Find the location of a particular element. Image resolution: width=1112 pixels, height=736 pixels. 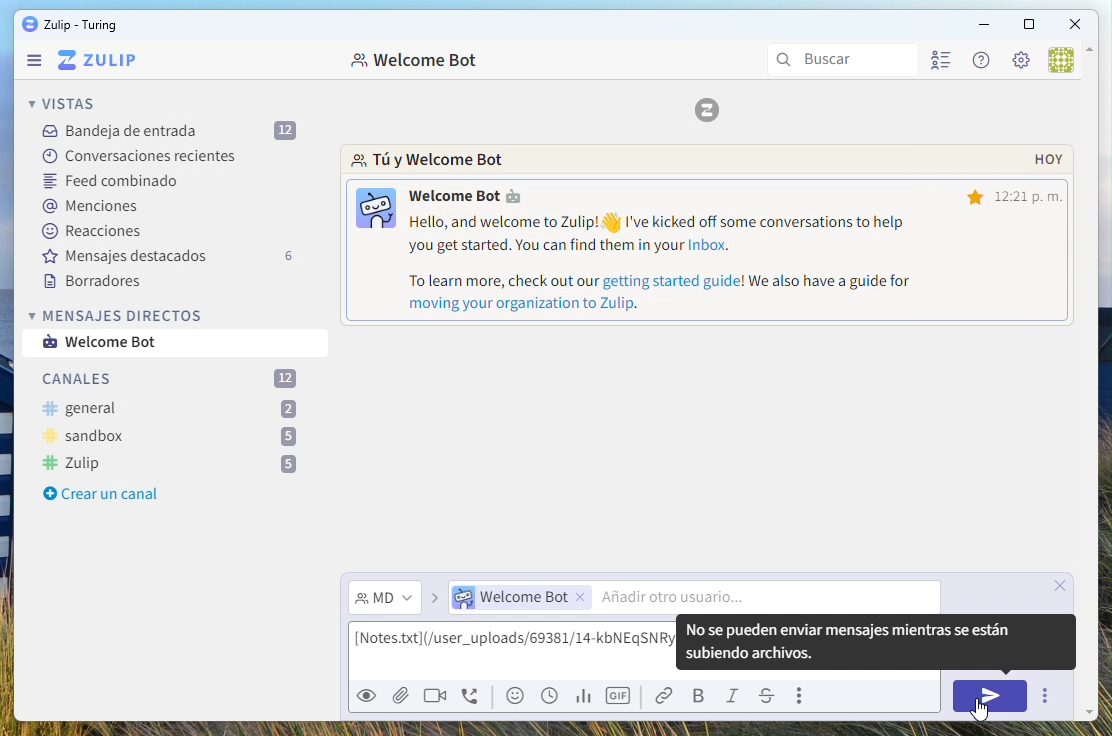

Tags is located at coordinates (92, 207).